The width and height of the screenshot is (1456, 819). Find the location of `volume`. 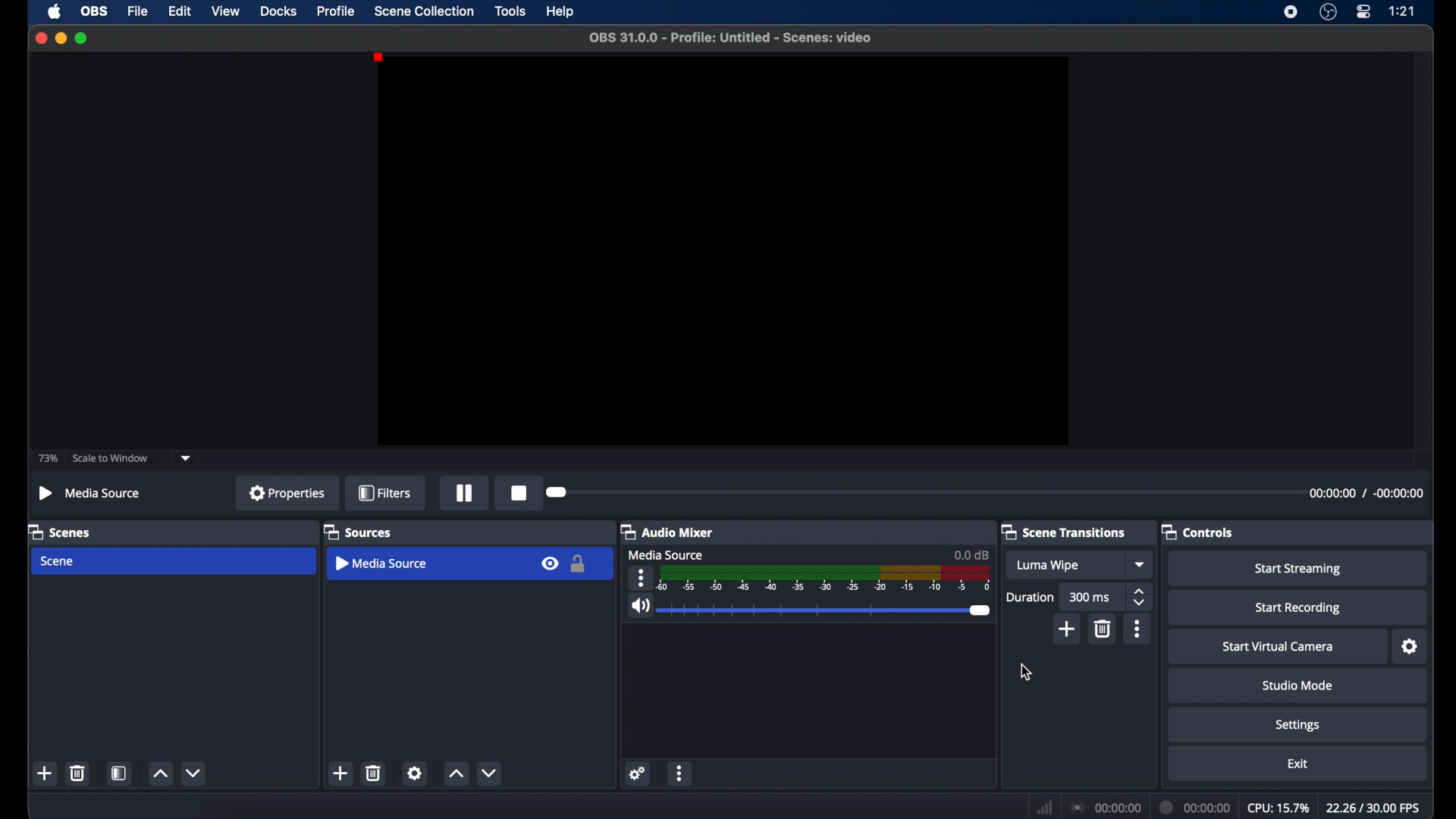

volume is located at coordinates (641, 606).